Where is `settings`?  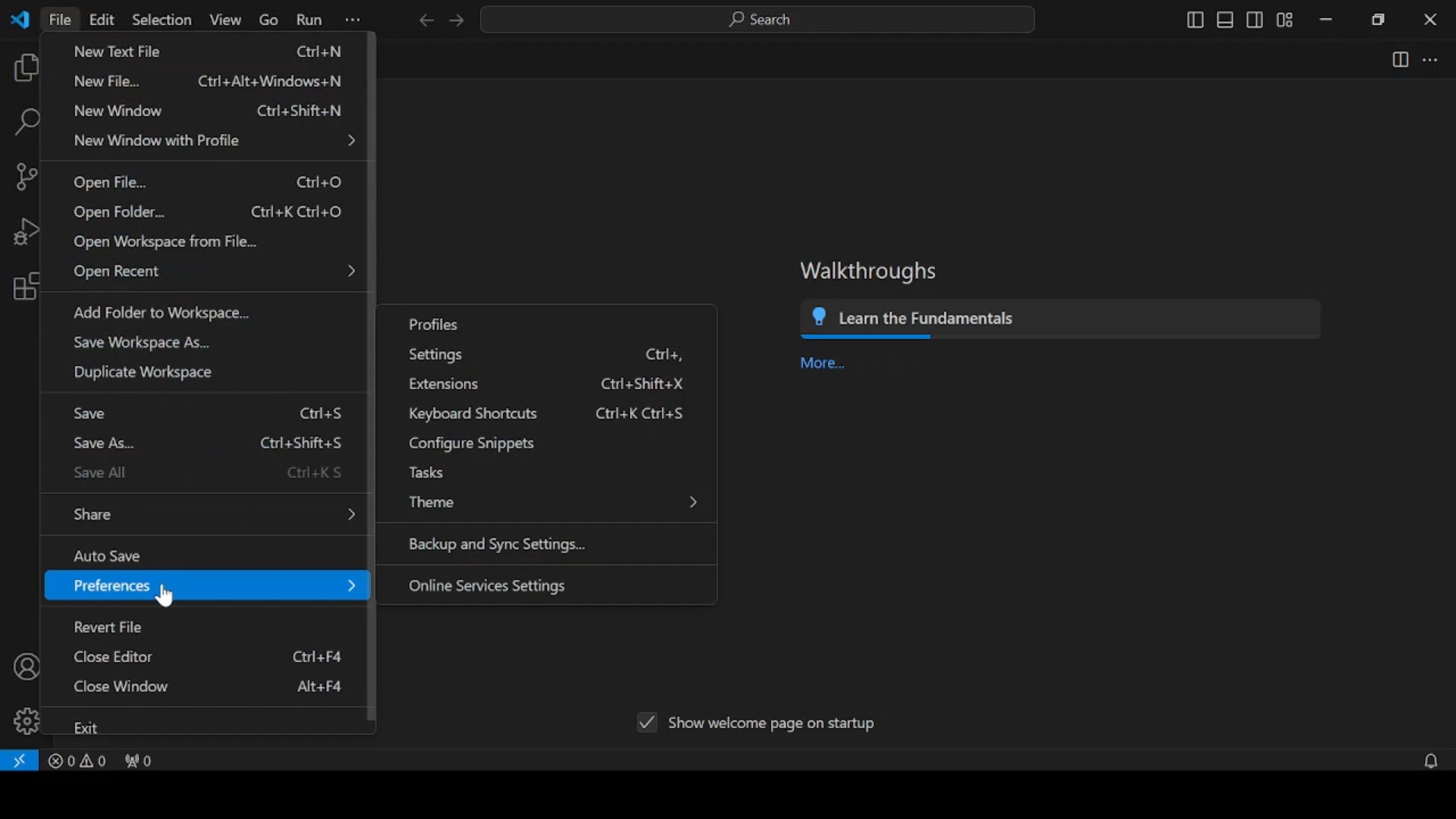 settings is located at coordinates (441, 356).